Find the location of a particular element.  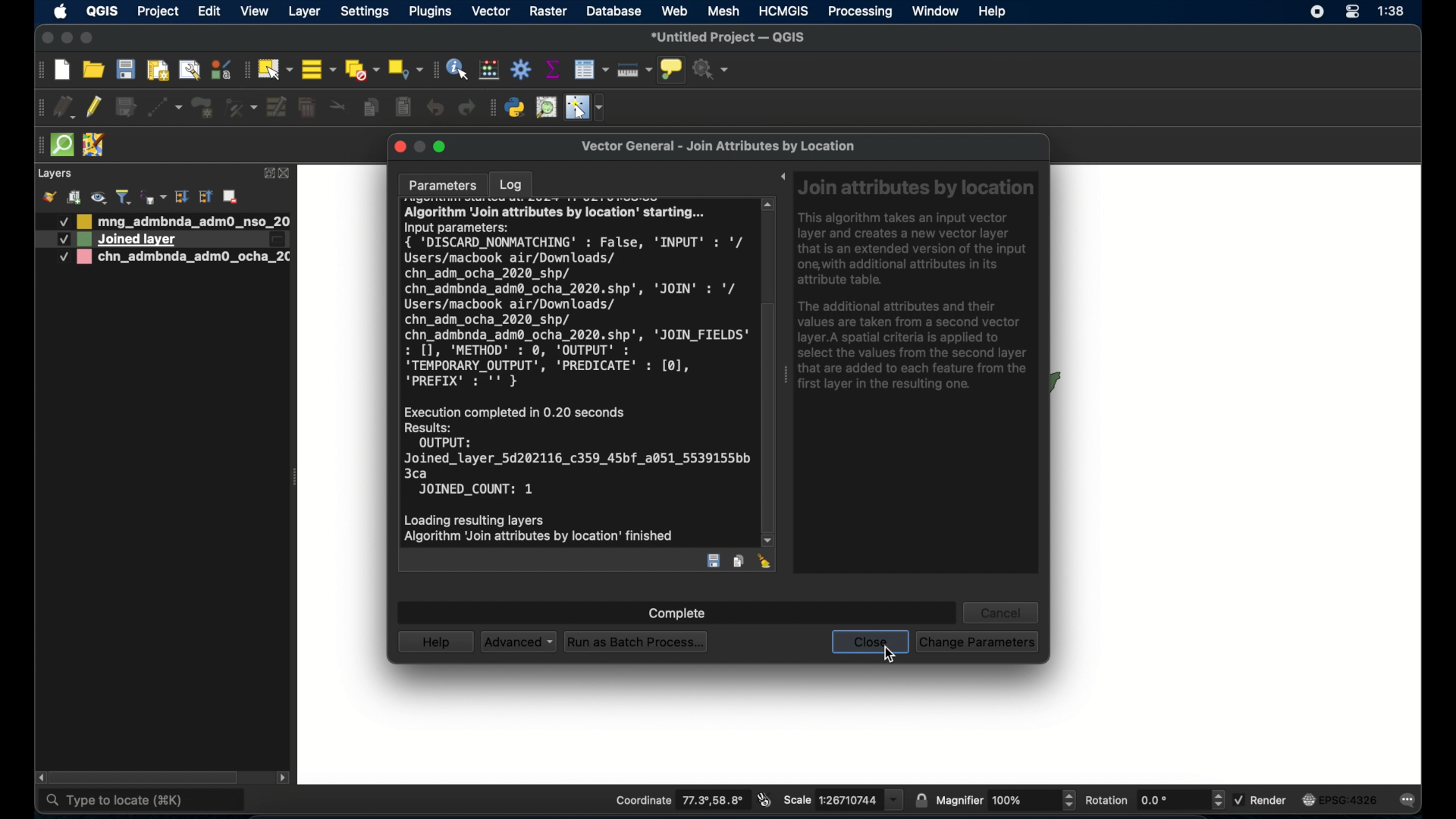

digitize with segment is located at coordinates (165, 108).